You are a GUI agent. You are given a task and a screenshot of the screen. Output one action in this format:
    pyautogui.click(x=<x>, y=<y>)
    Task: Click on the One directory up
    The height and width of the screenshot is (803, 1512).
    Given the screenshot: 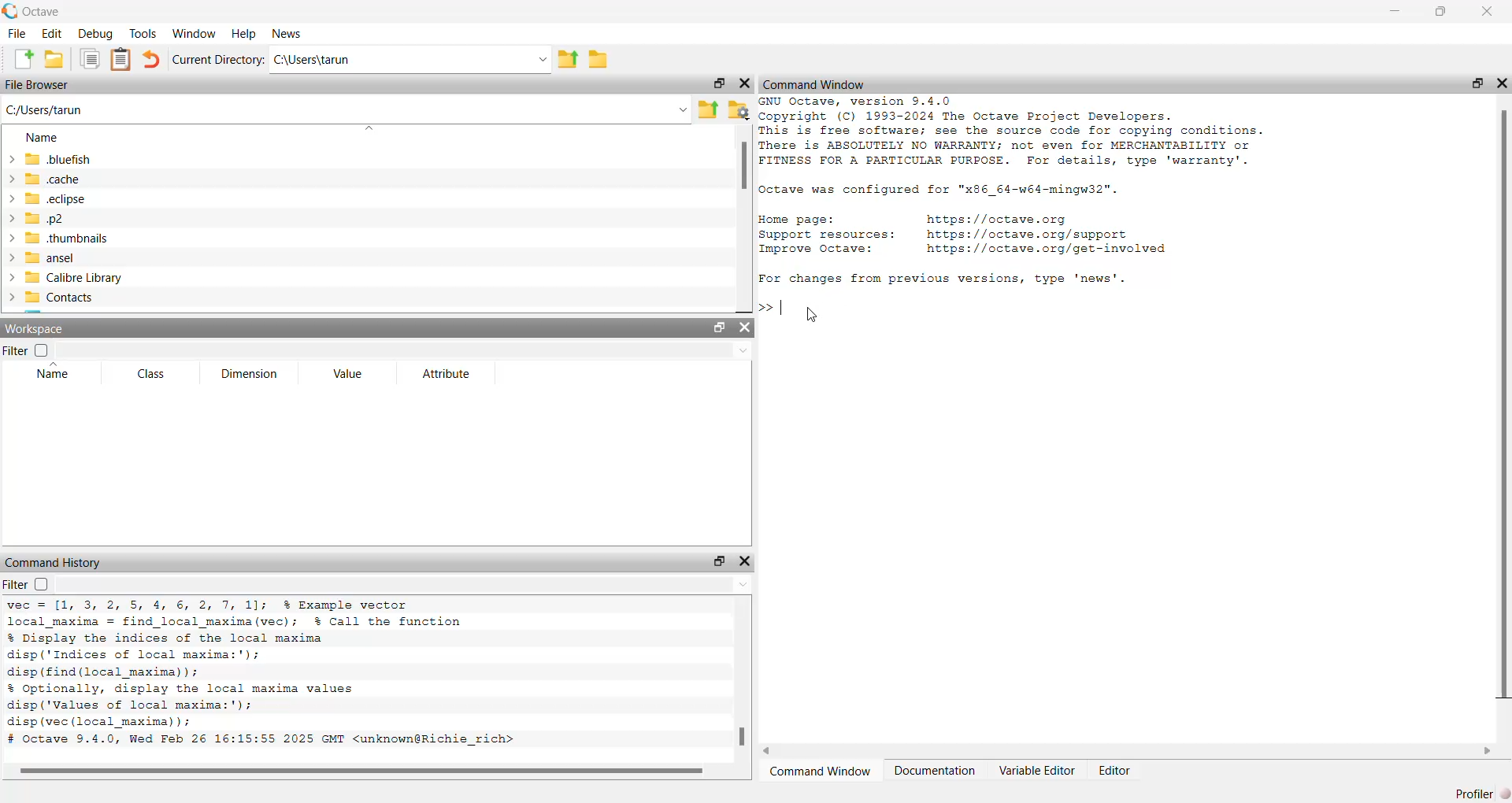 What is the action you would take?
    pyautogui.click(x=707, y=109)
    